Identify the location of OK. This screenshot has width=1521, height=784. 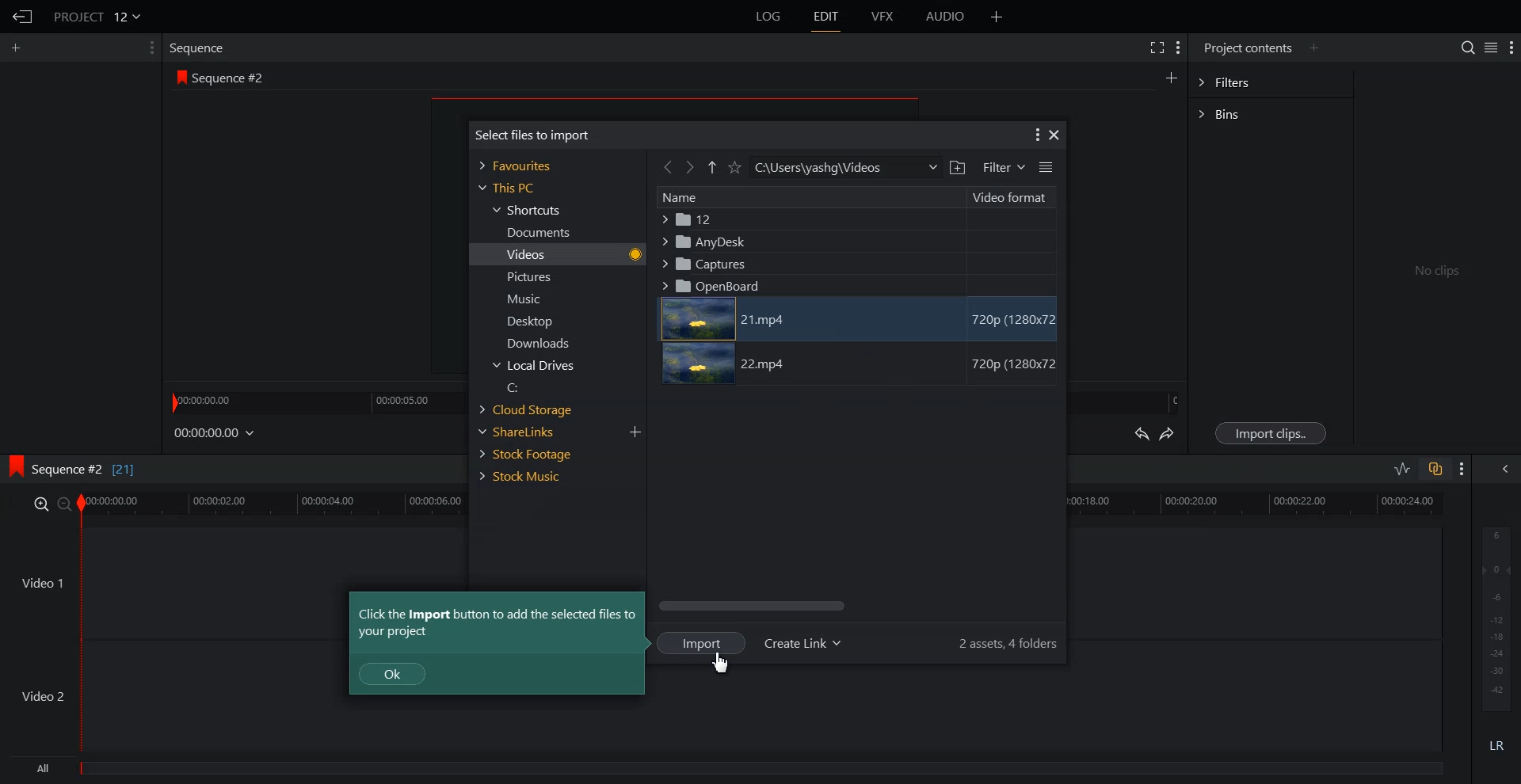
(392, 674).